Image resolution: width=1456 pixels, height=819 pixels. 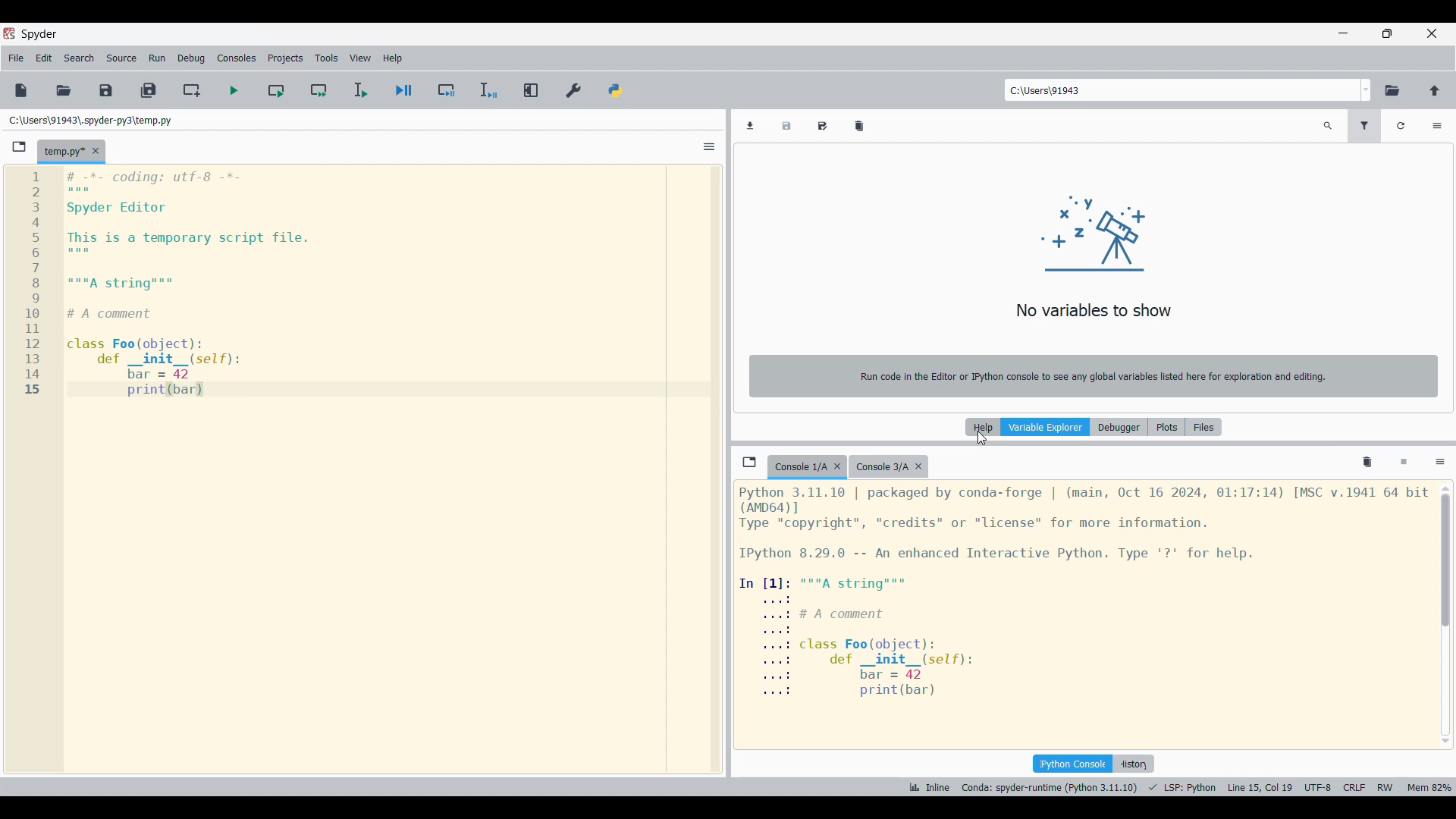 I want to click on Filter variables, so click(x=1365, y=126).